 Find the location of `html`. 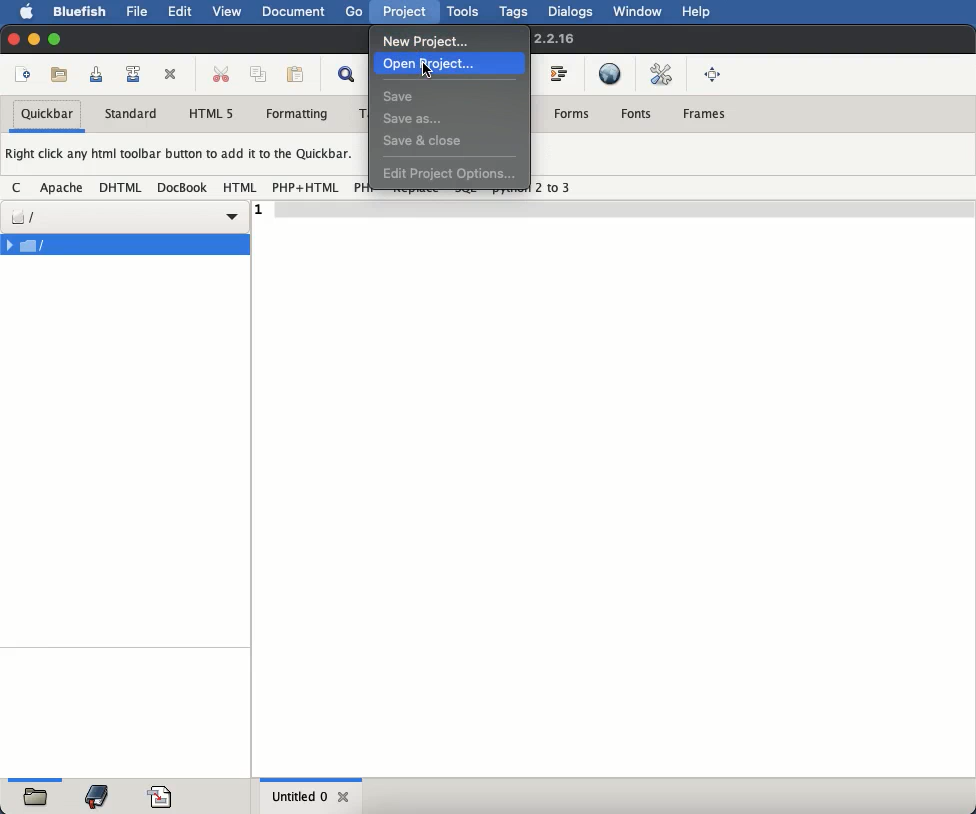

html is located at coordinates (240, 189).